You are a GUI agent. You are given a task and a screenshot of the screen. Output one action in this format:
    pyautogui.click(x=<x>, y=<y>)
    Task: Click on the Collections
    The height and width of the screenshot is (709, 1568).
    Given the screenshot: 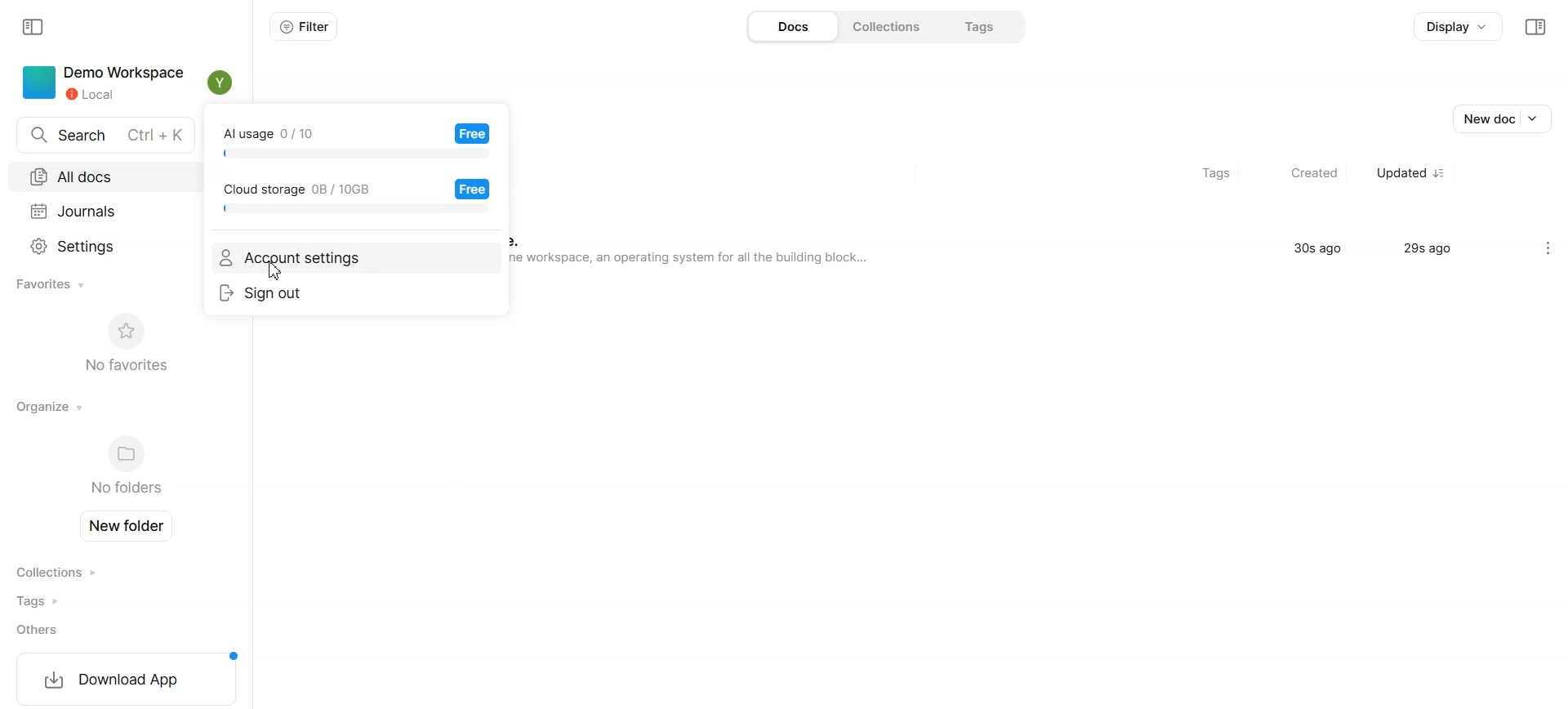 What is the action you would take?
    pyautogui.click(x=888, y=26)
    